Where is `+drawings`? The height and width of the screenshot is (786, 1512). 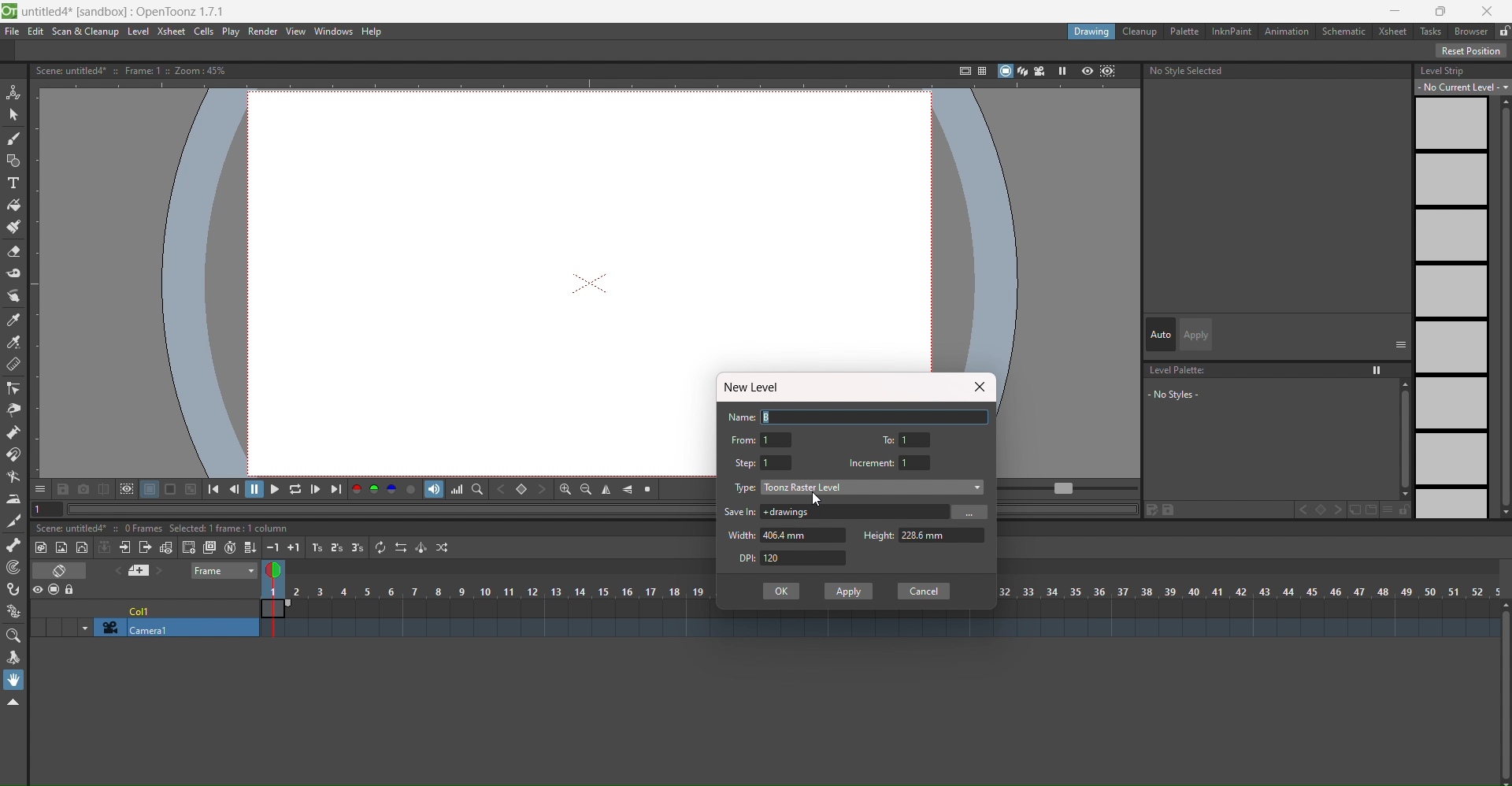
+drawings is located at coordinates (853, 511).